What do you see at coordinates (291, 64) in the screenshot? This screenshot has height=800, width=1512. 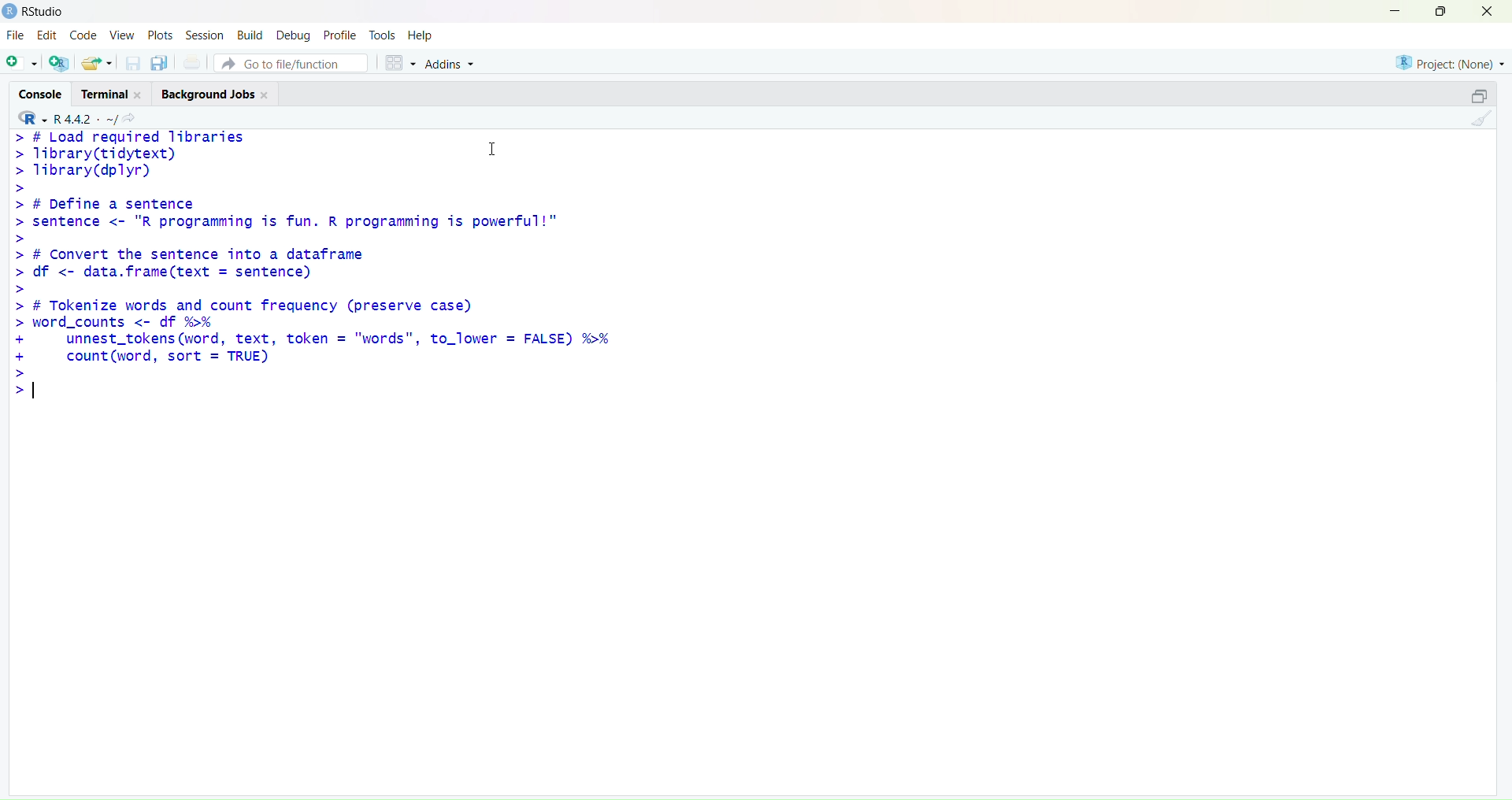 I see `go to file/function` at bounding box center [291, 64].